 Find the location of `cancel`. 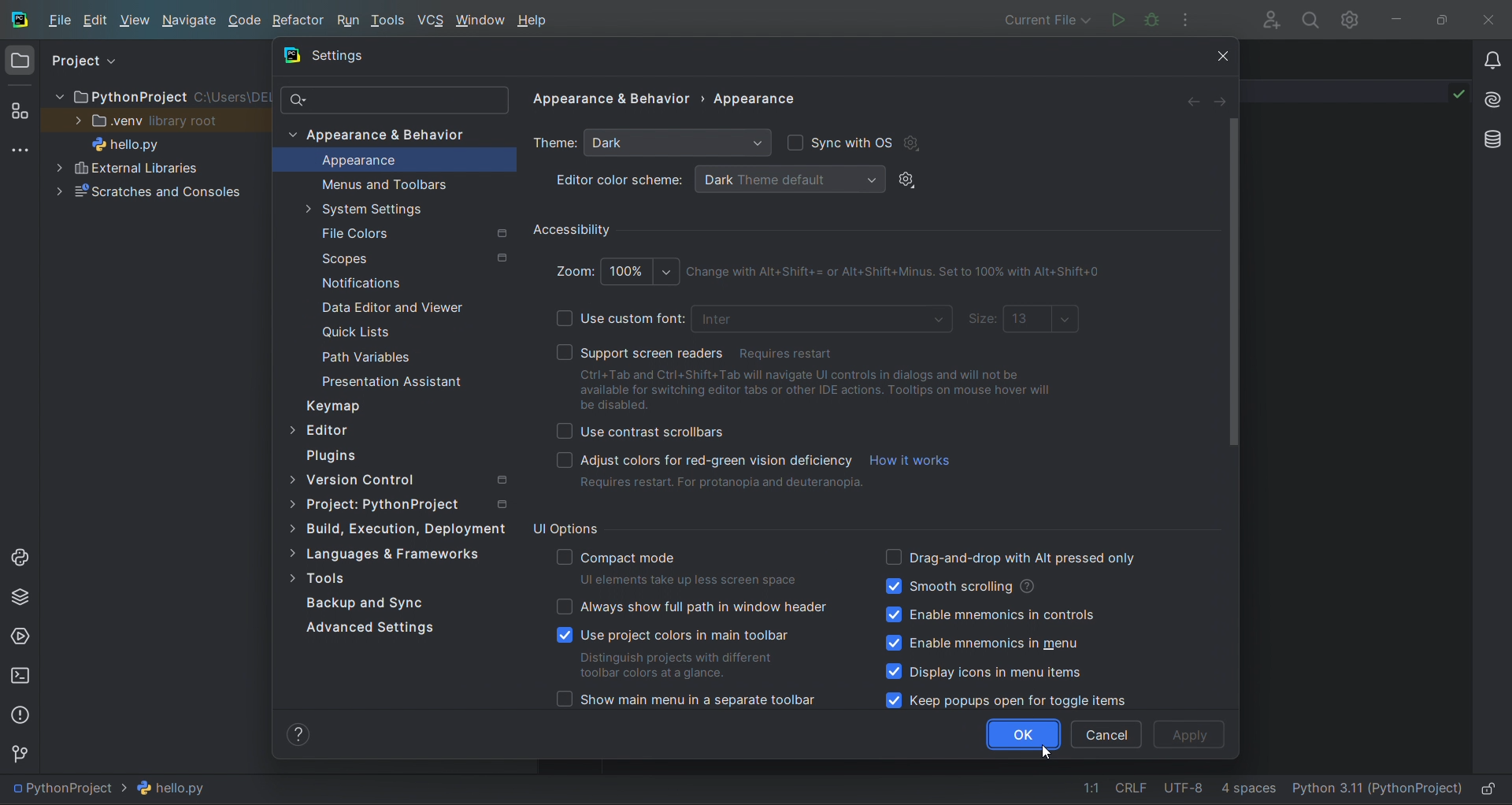

cancel is located at coordinates (1108, 734).